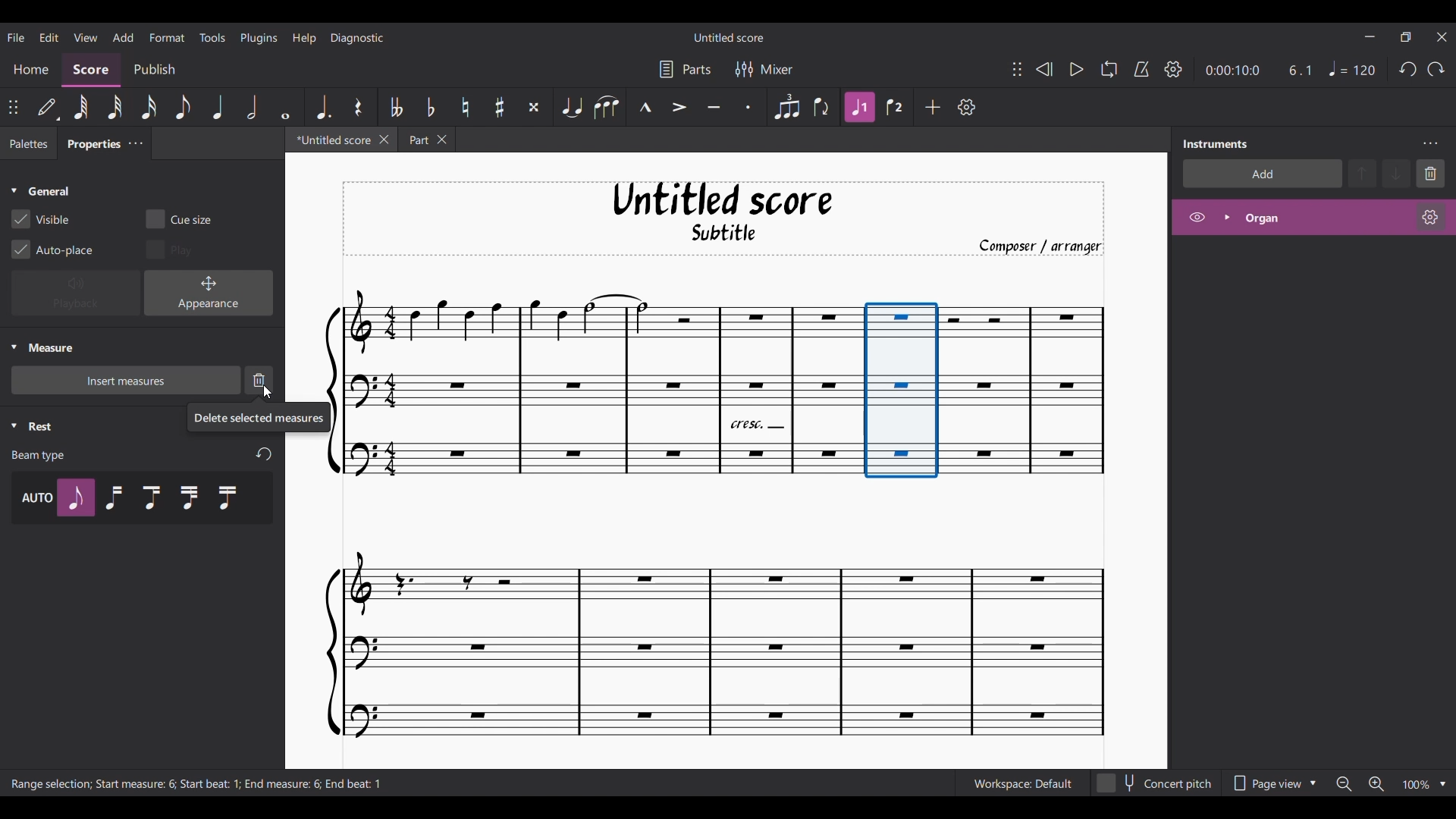 The width and height of the screenshot is (1456, 819). I want to click on Toggle sharp, so click(499, 108).